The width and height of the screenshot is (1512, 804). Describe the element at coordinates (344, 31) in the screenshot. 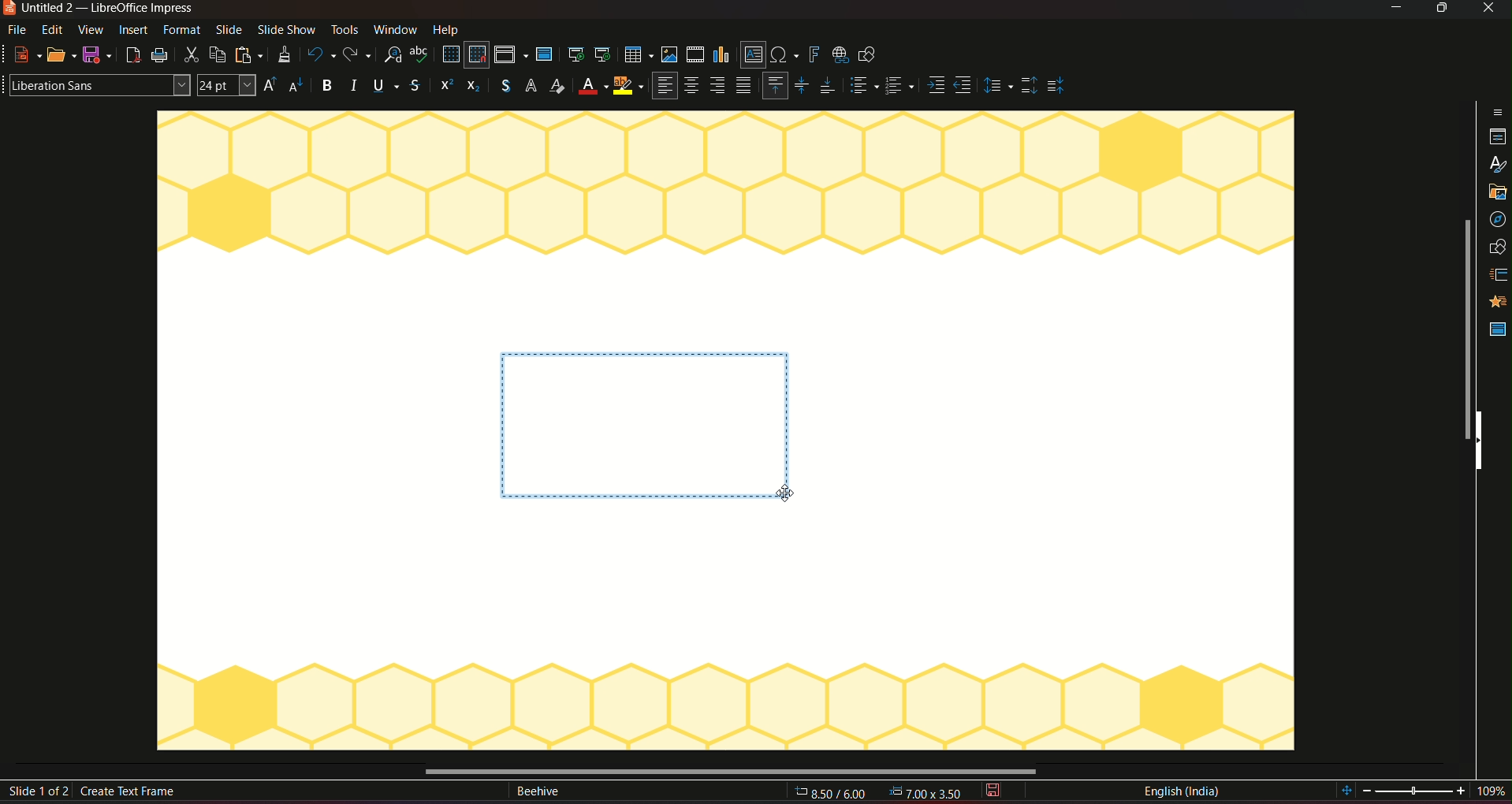

I see `tools` at that location.